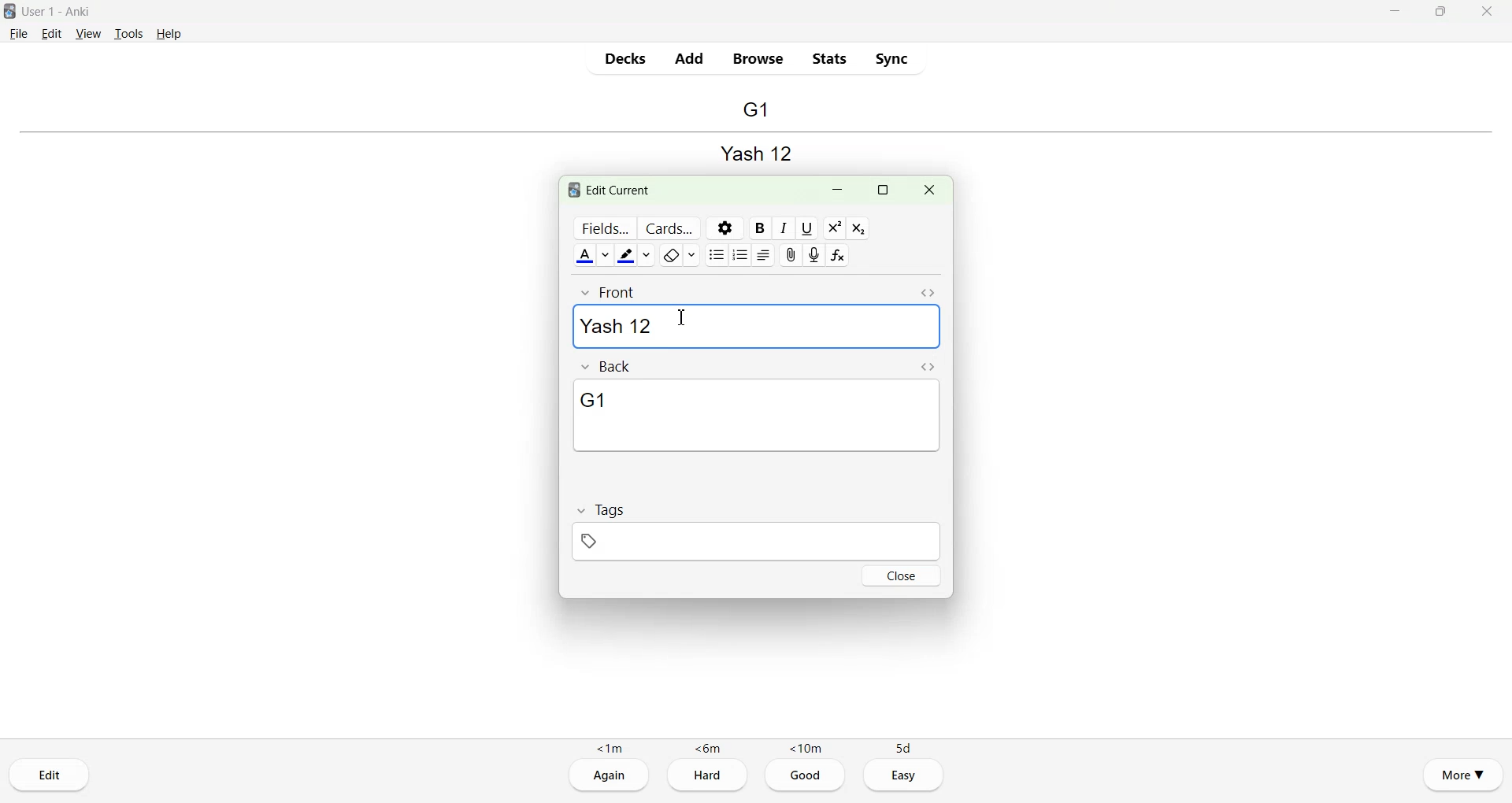 The width and height of the screenshot is (1512, 803). I want to click on Bold text, so click(758, 228).